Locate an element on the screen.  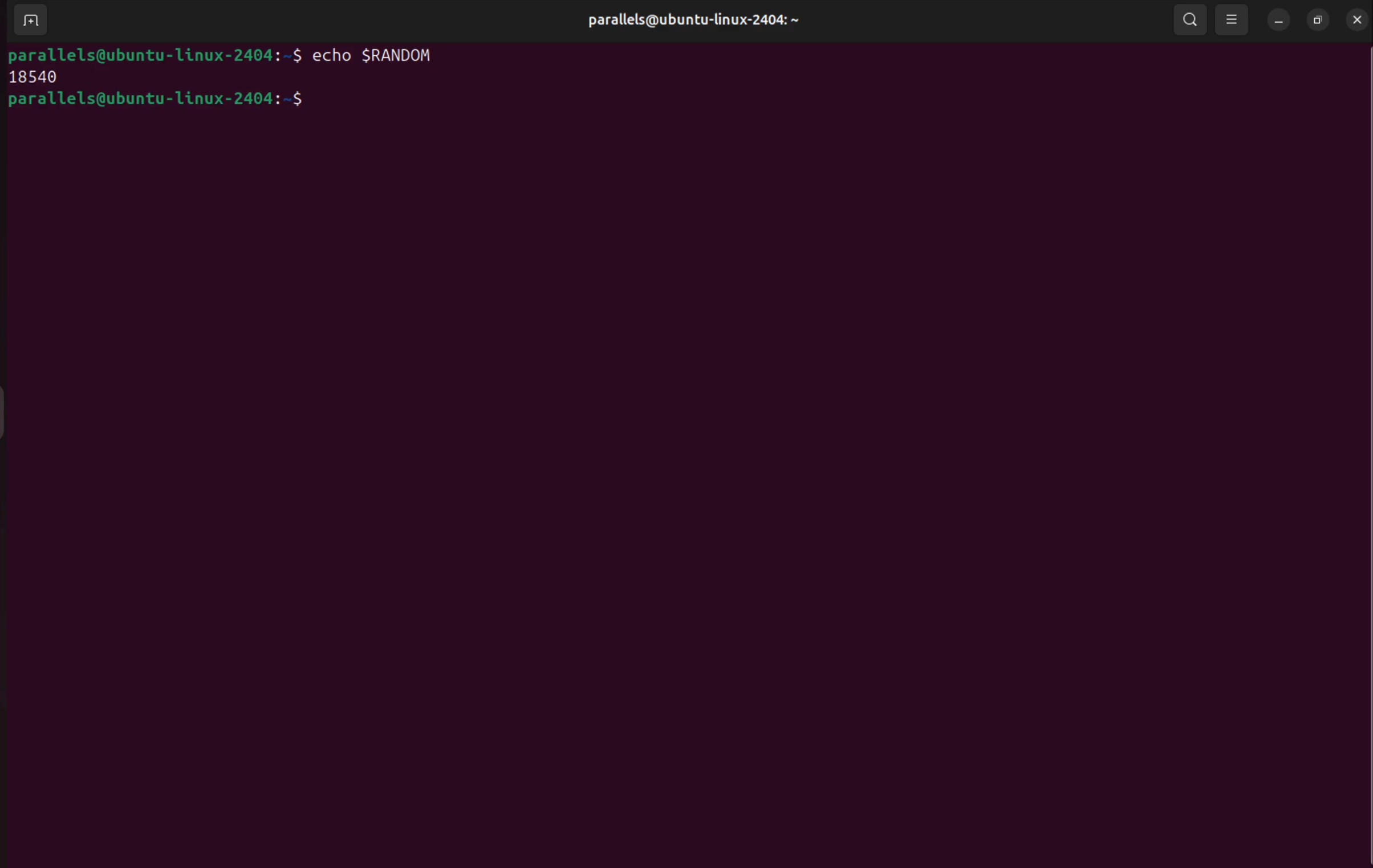
echo $RANDOM is located at coordinates (377, 58).